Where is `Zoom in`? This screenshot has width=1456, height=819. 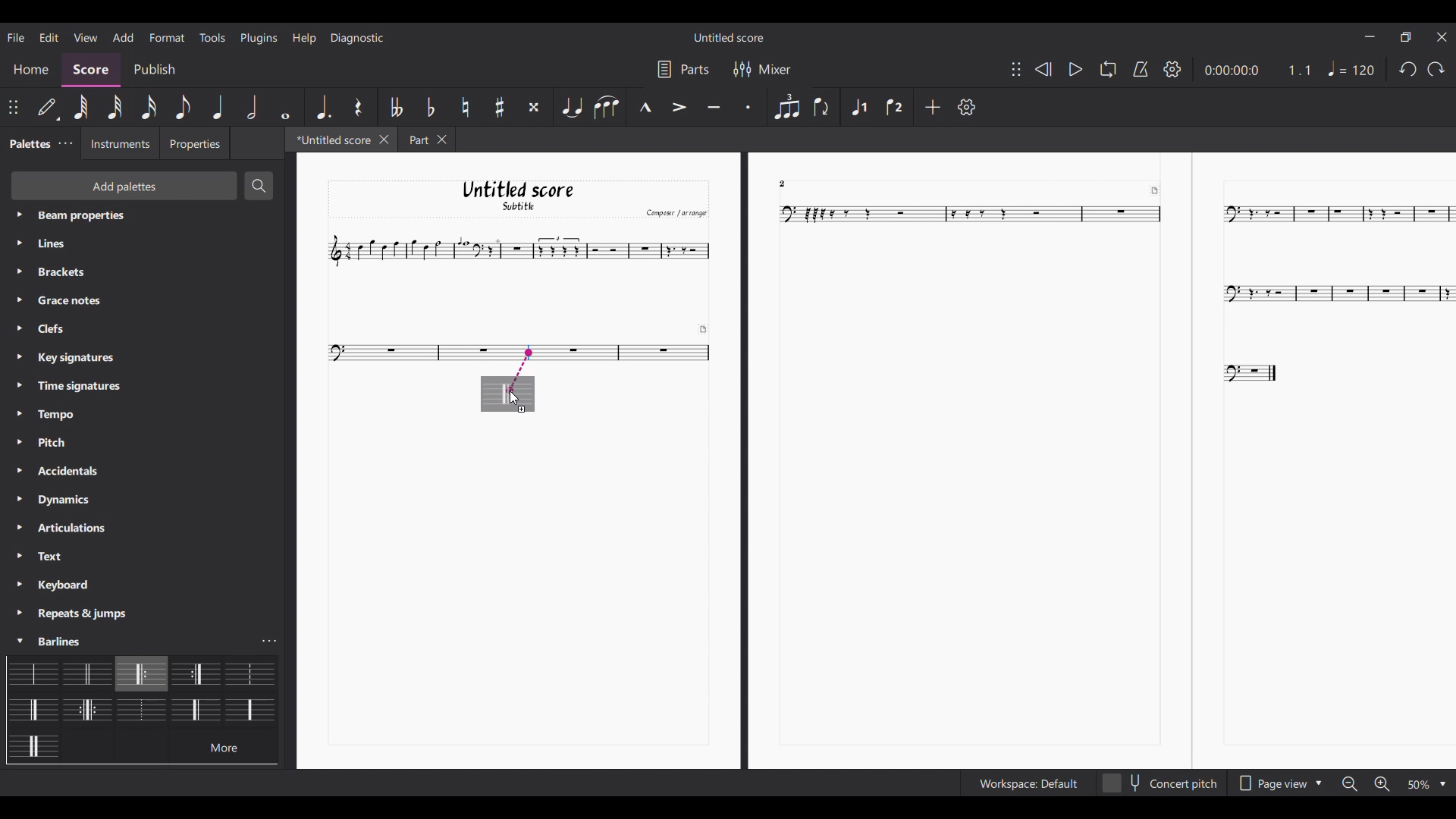
Zoom in is located at coordinates (1382, 783).